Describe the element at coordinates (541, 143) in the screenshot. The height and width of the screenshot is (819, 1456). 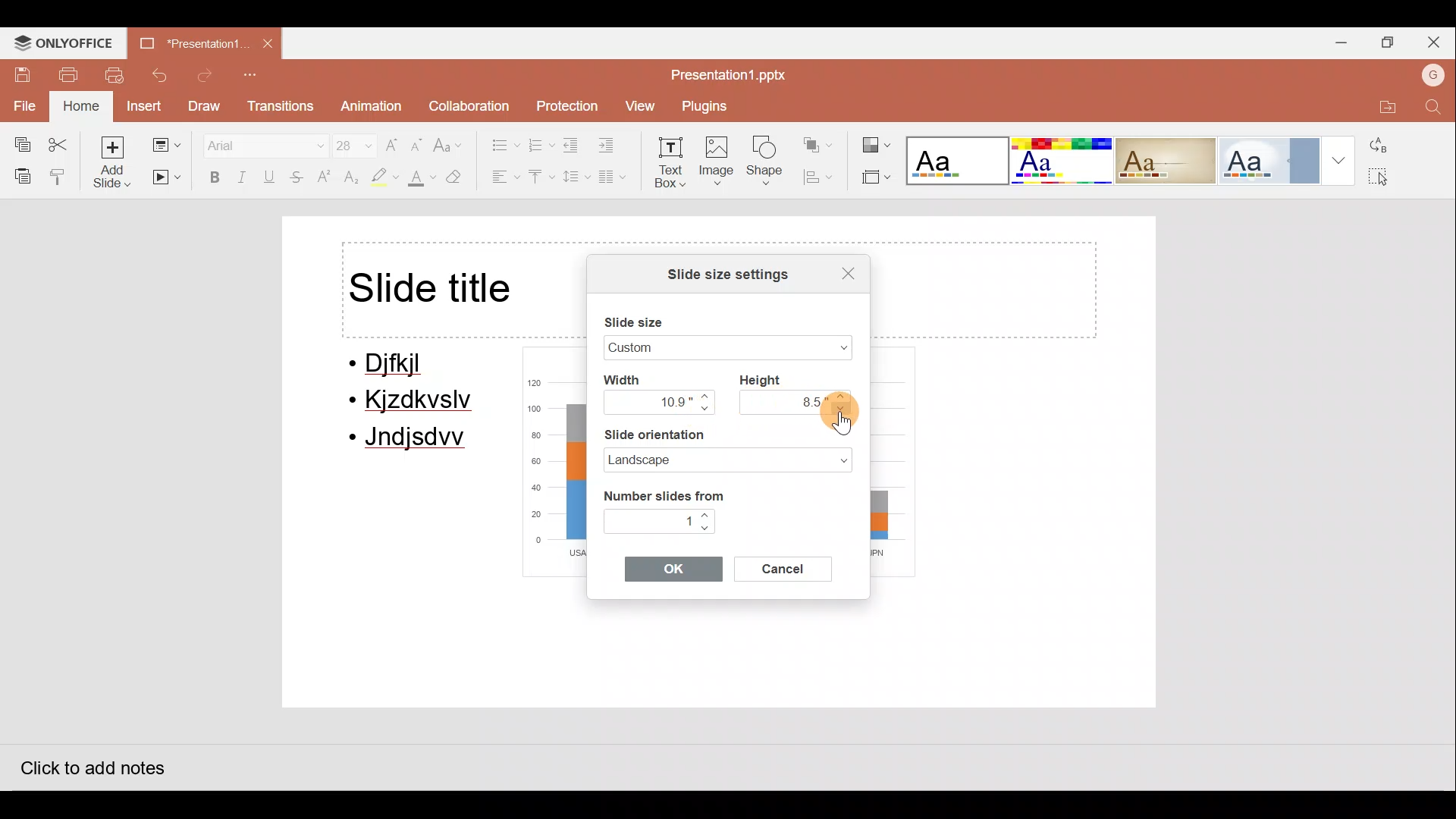
I see `Numbering` at that location.